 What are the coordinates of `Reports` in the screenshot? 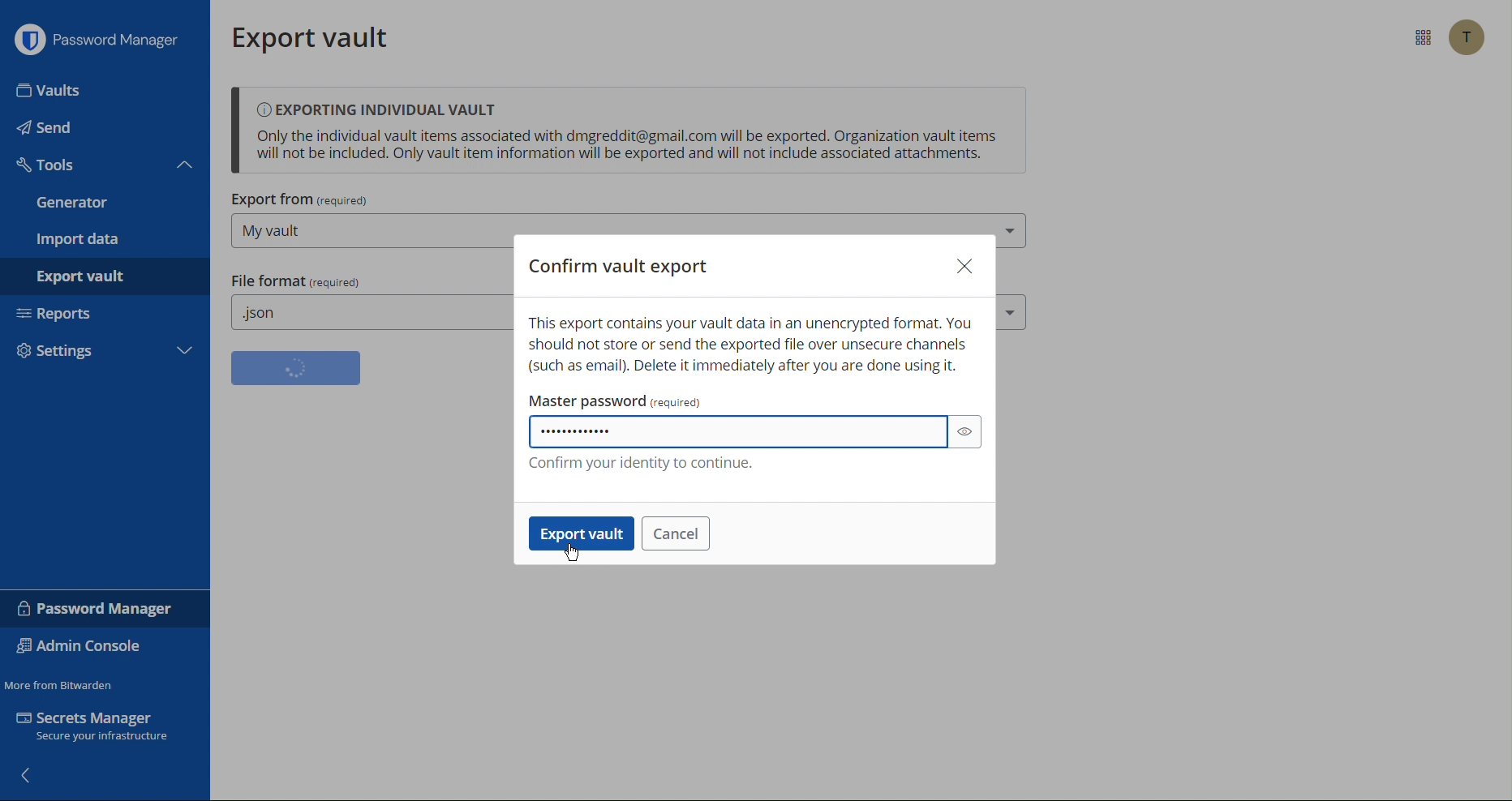 It's located at (106, 318).